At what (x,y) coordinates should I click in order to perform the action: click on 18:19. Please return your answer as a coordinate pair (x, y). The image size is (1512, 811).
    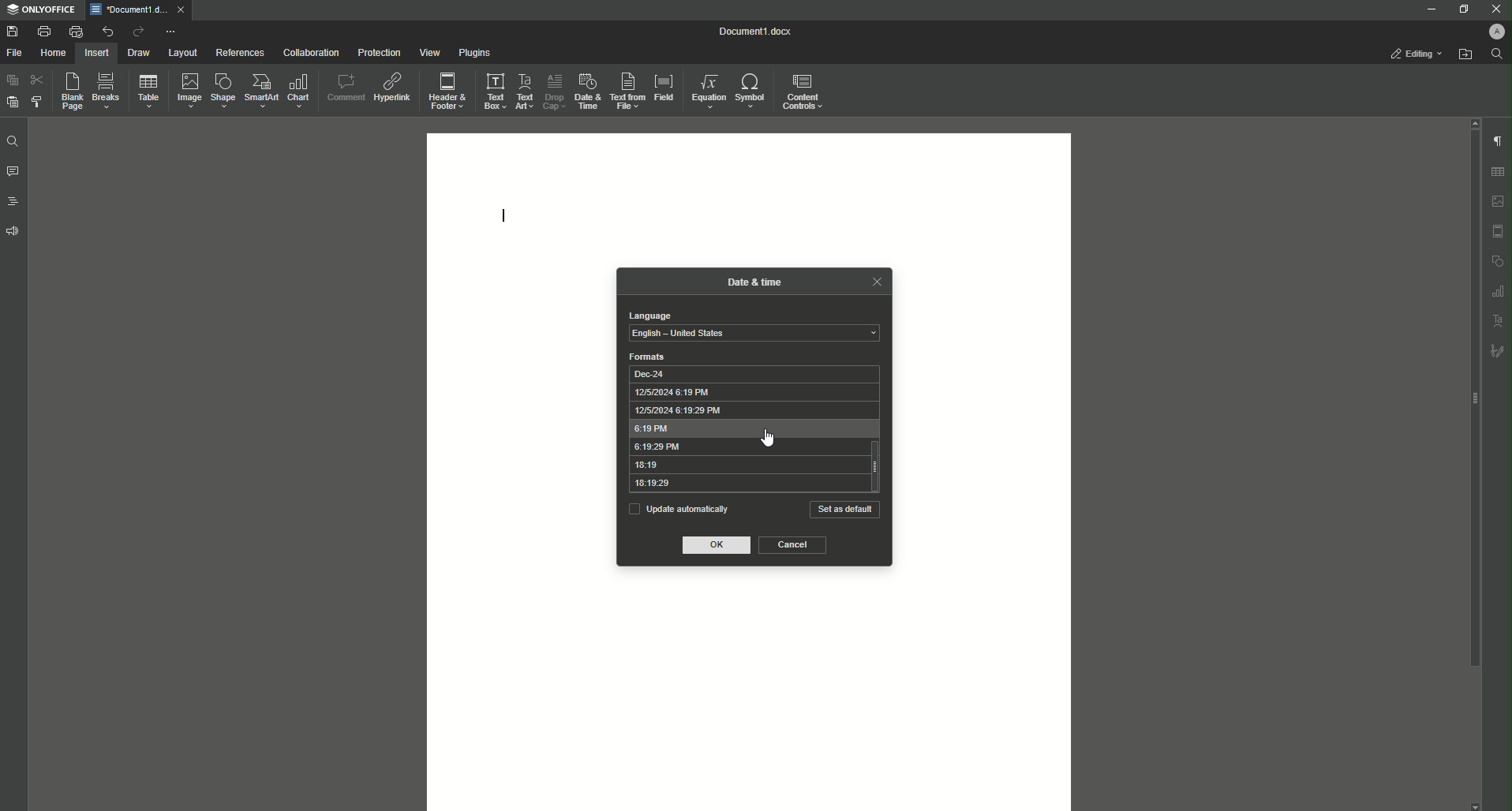
    Looking at the image, I should click on (745, 465).